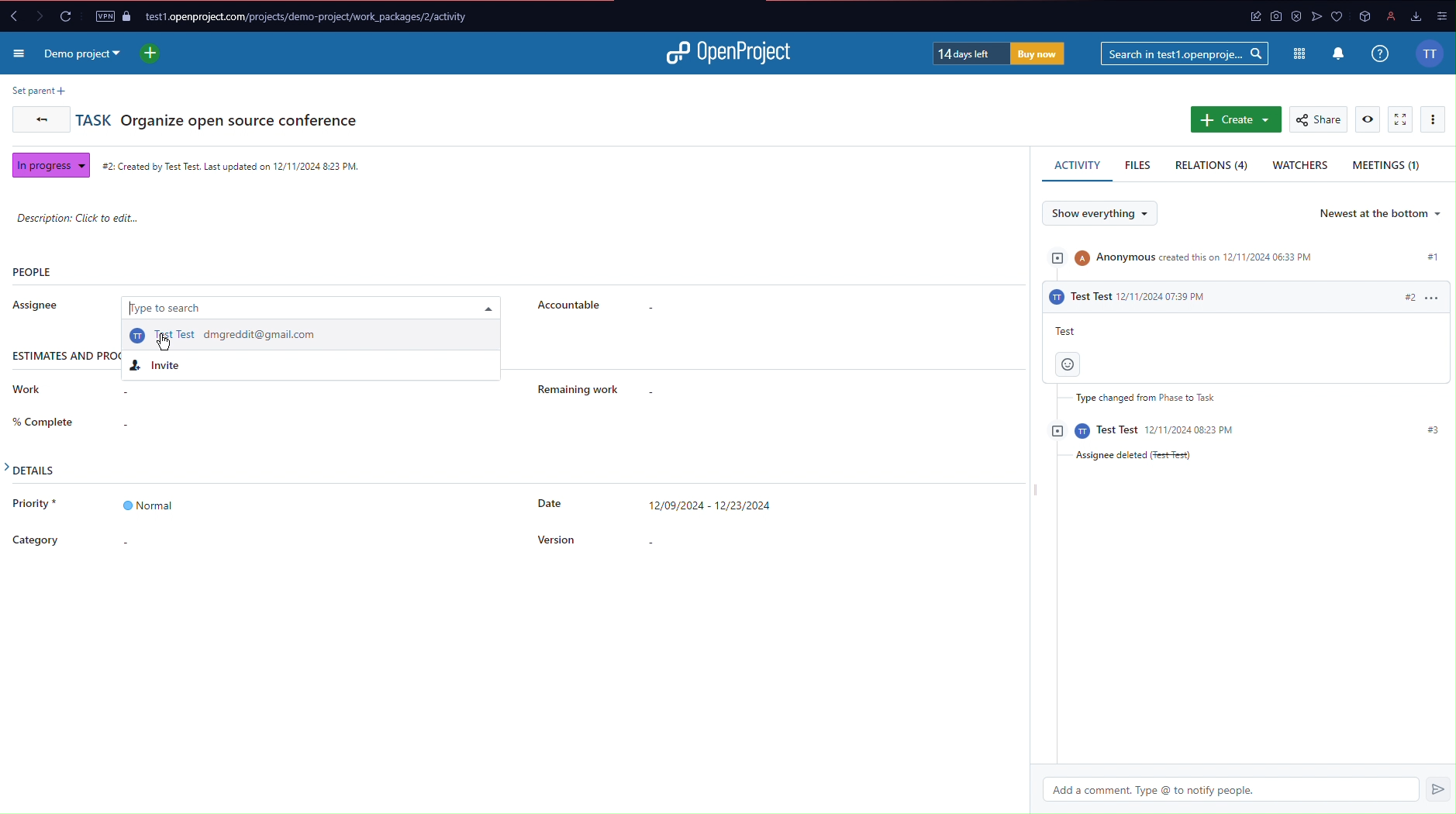  I want to click on View, so click(1366, 119).